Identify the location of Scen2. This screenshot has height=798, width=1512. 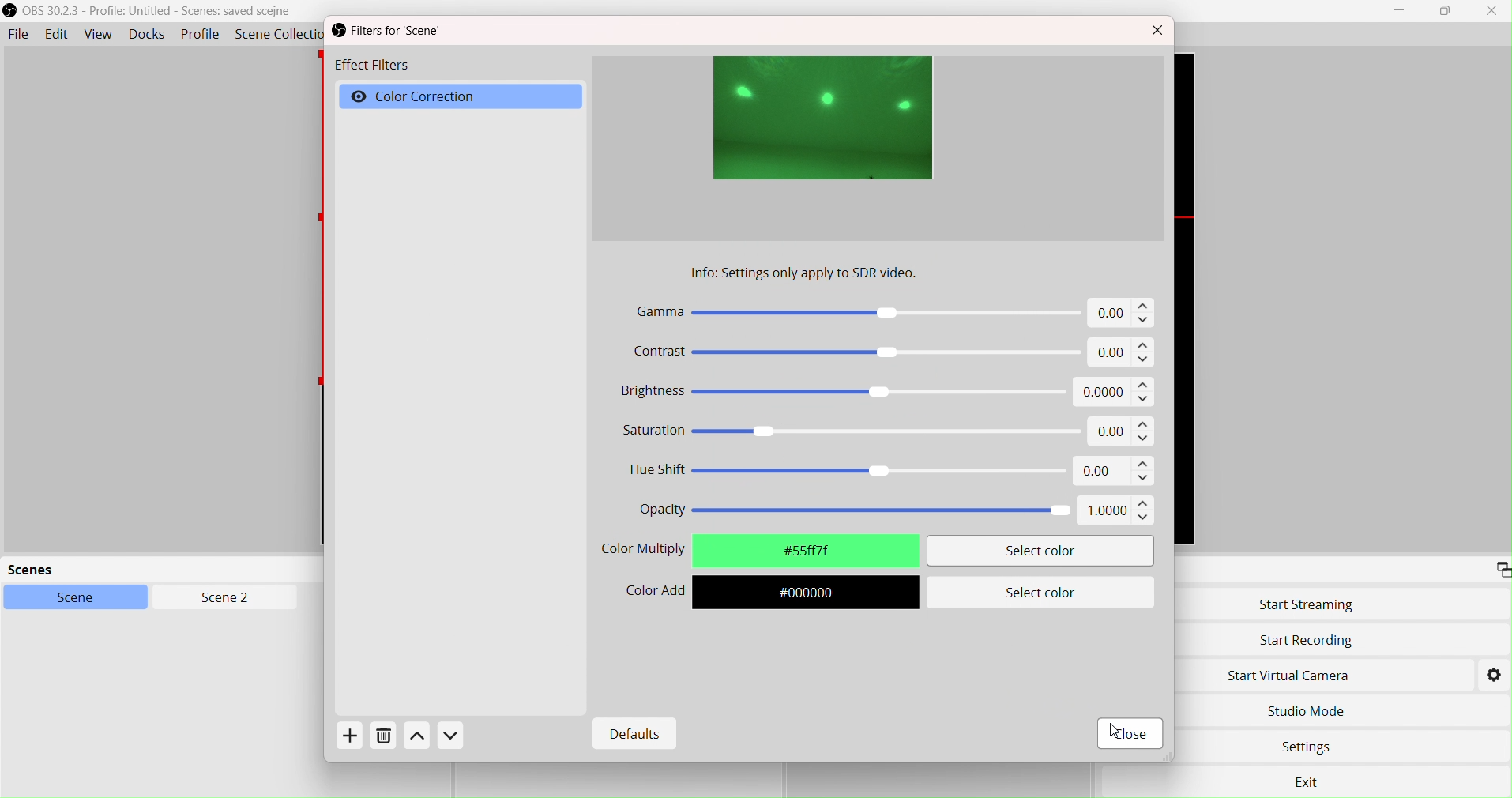
(222, 599).